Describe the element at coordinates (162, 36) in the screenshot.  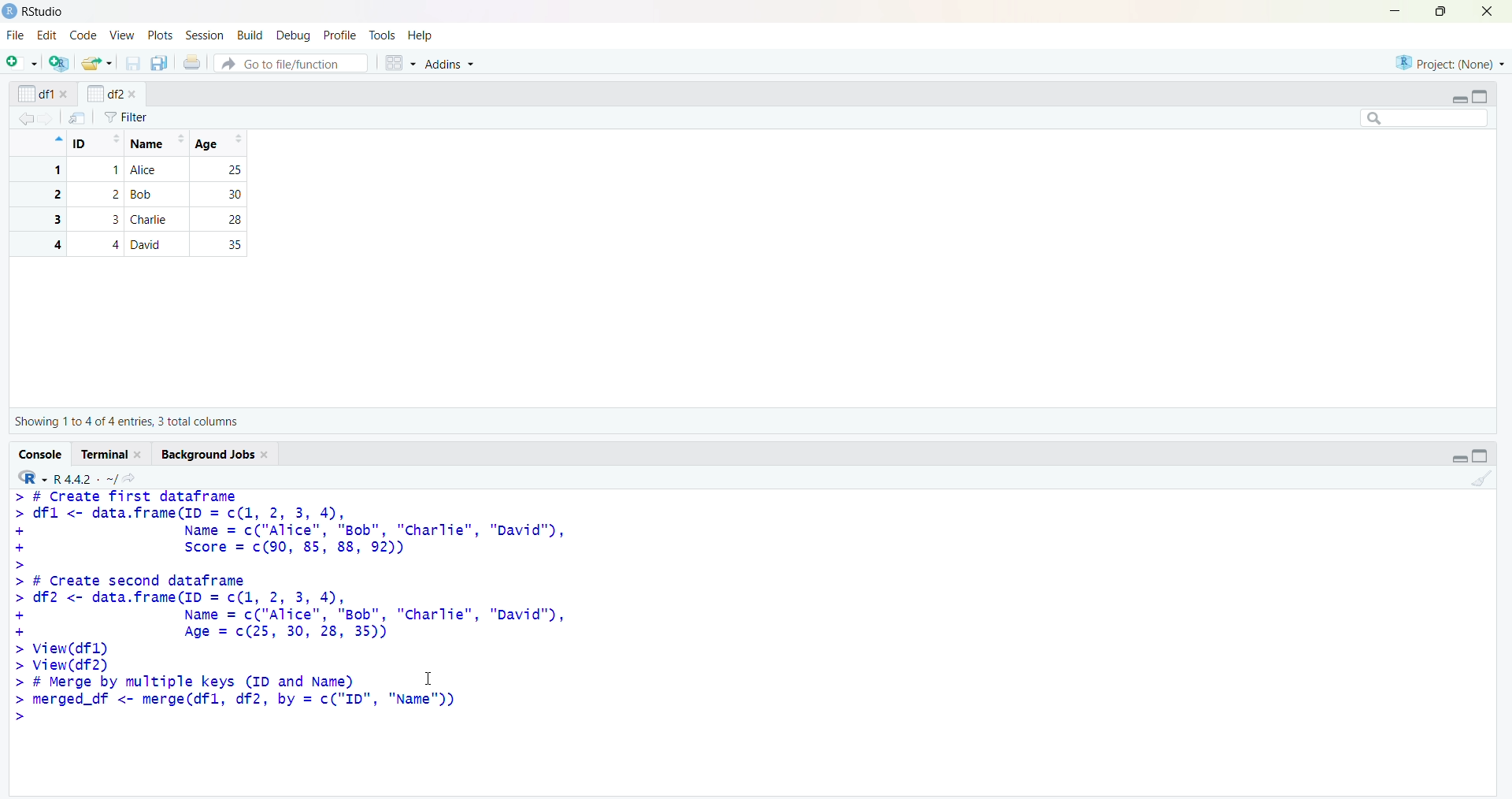
I see `plots` at that location.